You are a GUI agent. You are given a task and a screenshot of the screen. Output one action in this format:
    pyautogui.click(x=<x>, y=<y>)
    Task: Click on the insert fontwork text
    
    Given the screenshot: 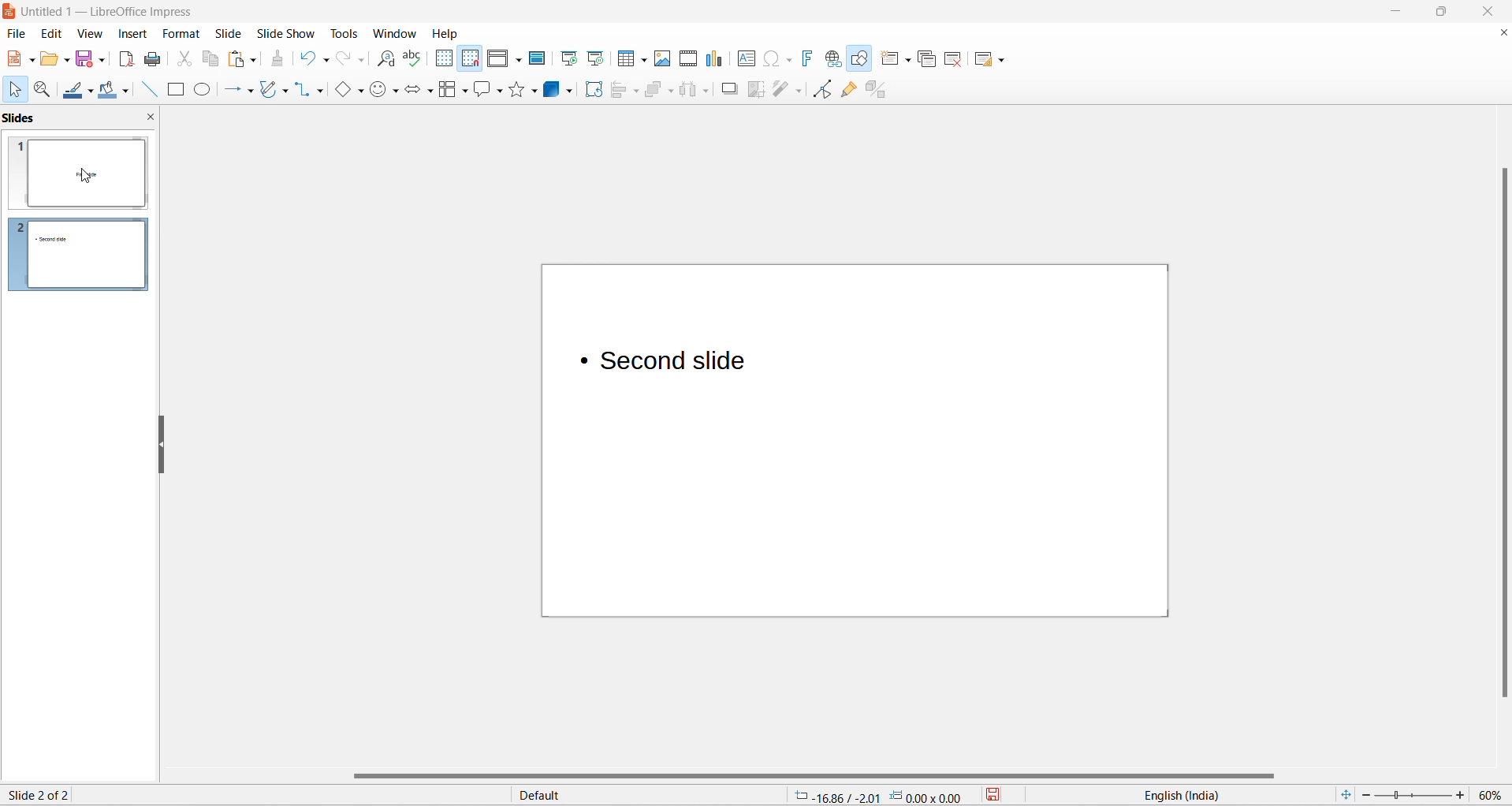 What is the action you would take?
    pyautogui.click(x=806, y=58)
    